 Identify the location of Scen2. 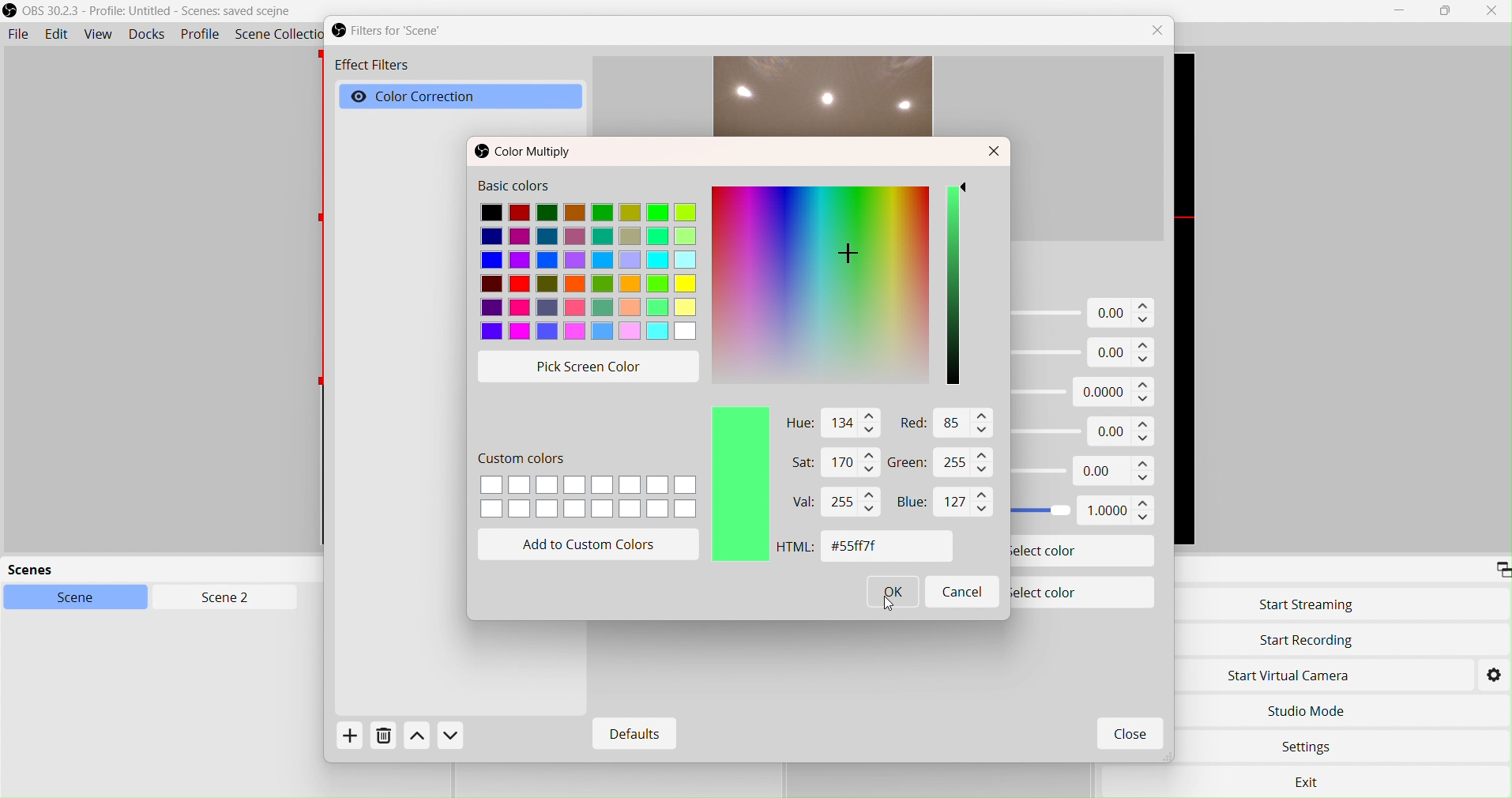
(222, 599).